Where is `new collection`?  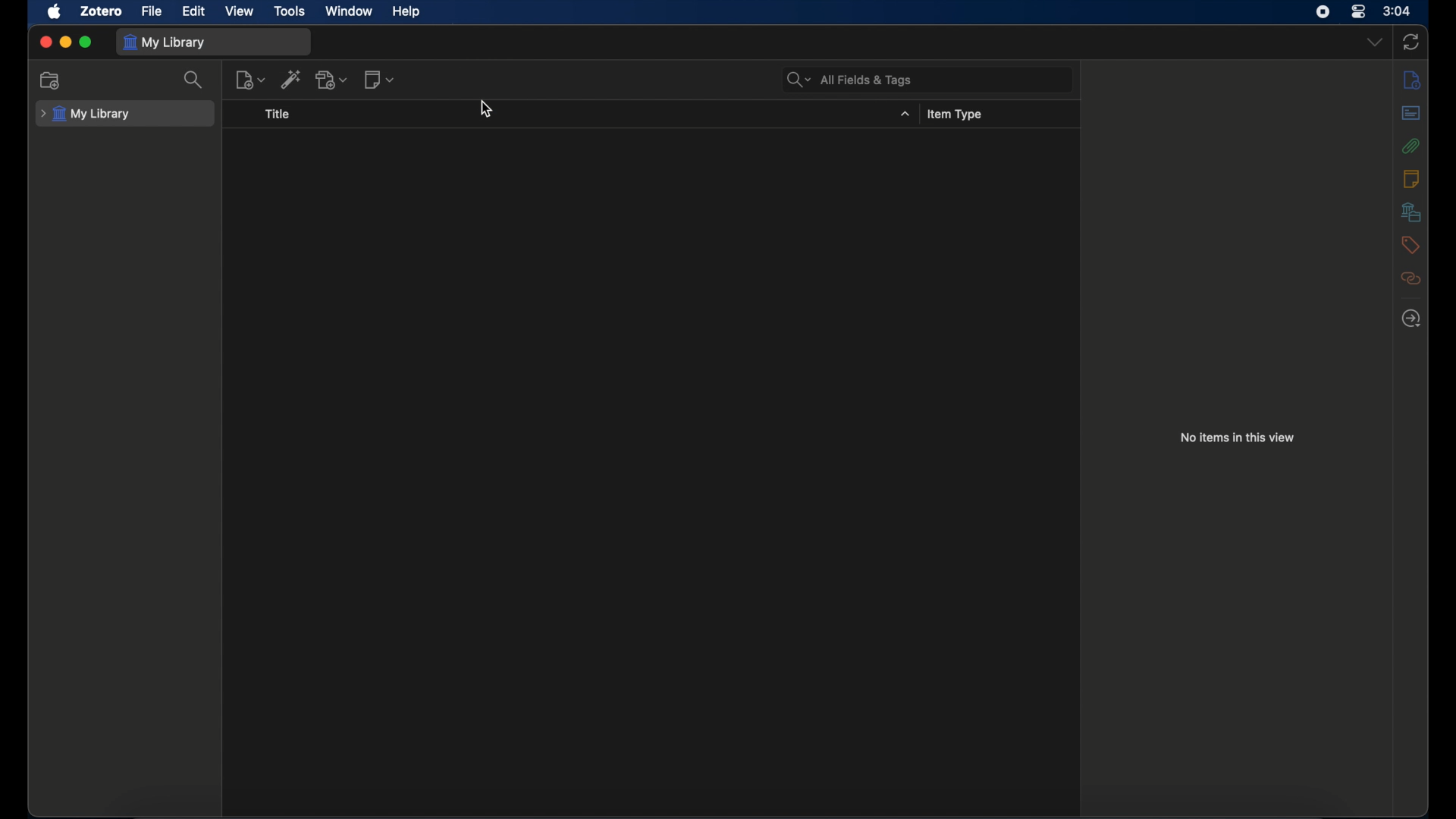
new collection is located at coordinates (51, 80).